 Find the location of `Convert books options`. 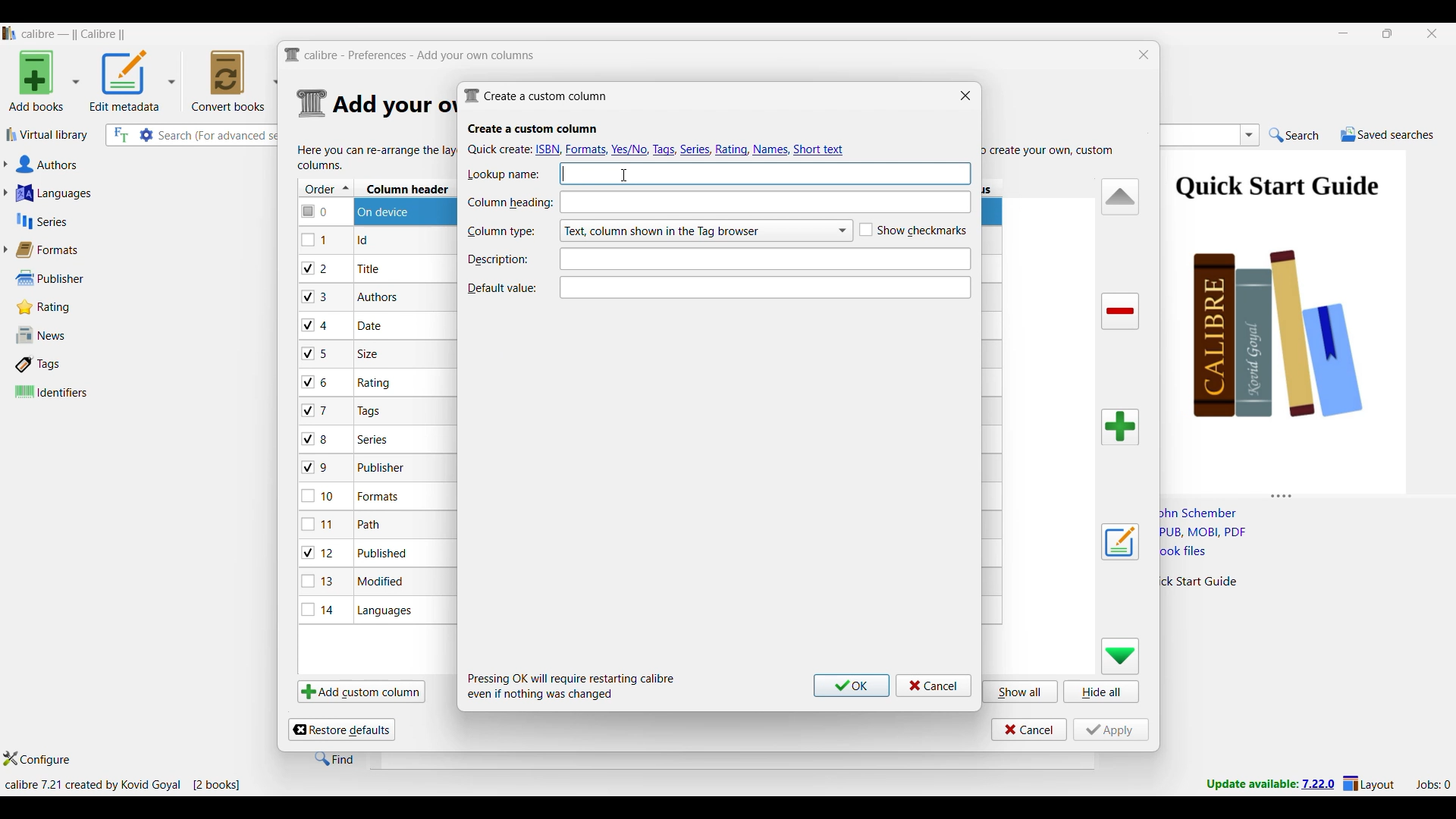

Convert books options is located at coordinates (235, 80).